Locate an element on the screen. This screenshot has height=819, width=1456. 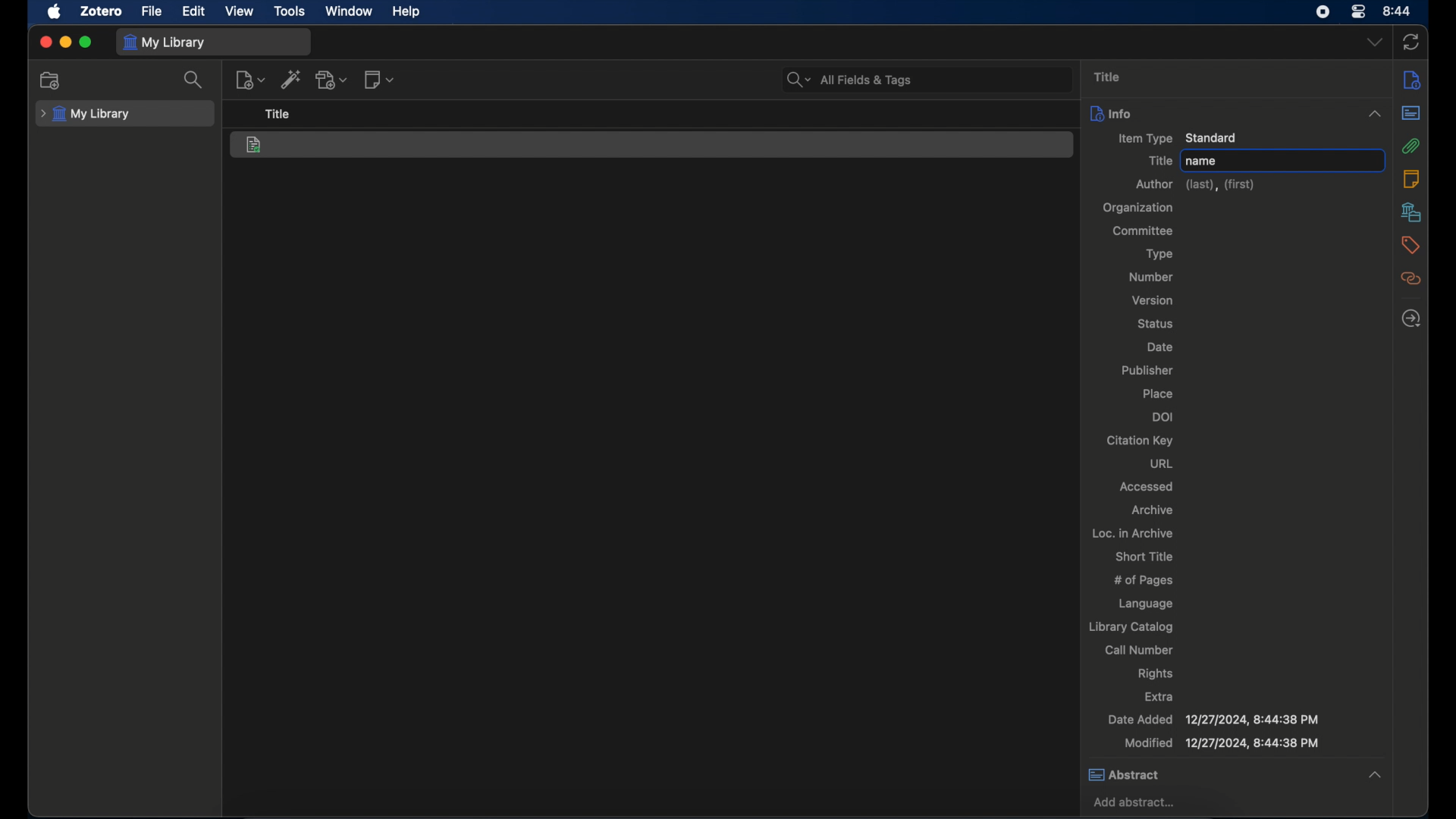
accessed is located at coordinates (1147, 486).